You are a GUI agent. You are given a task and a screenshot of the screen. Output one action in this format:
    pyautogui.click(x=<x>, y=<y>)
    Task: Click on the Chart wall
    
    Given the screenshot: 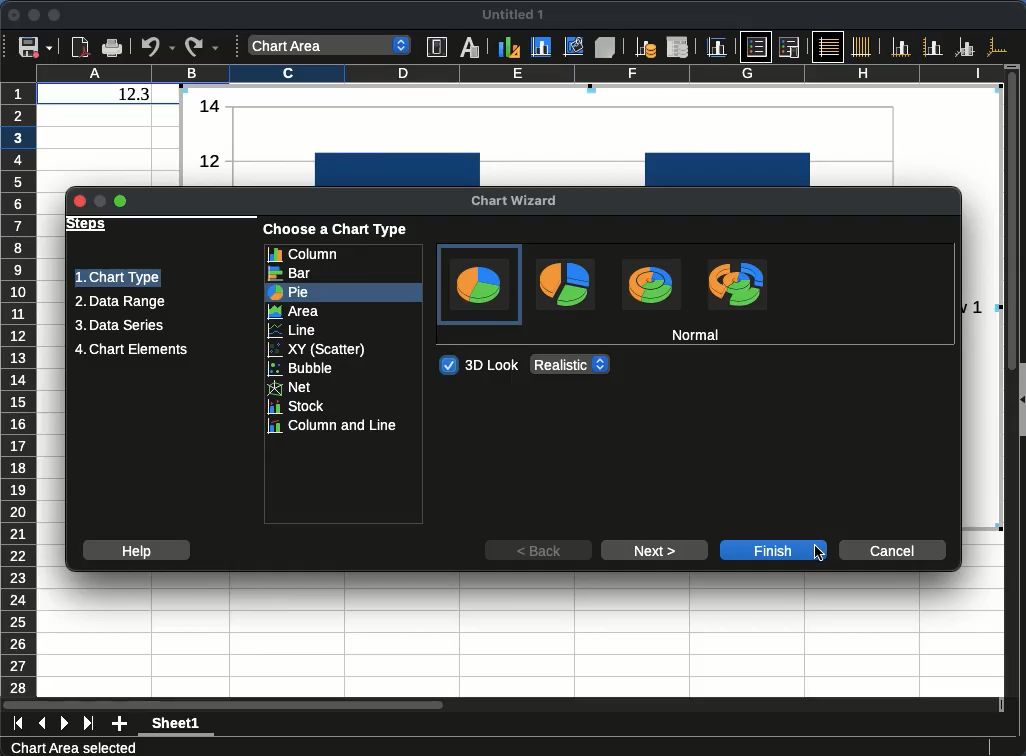 What is the action you would take?
    pyautogui.click(x=574, y=46)
    